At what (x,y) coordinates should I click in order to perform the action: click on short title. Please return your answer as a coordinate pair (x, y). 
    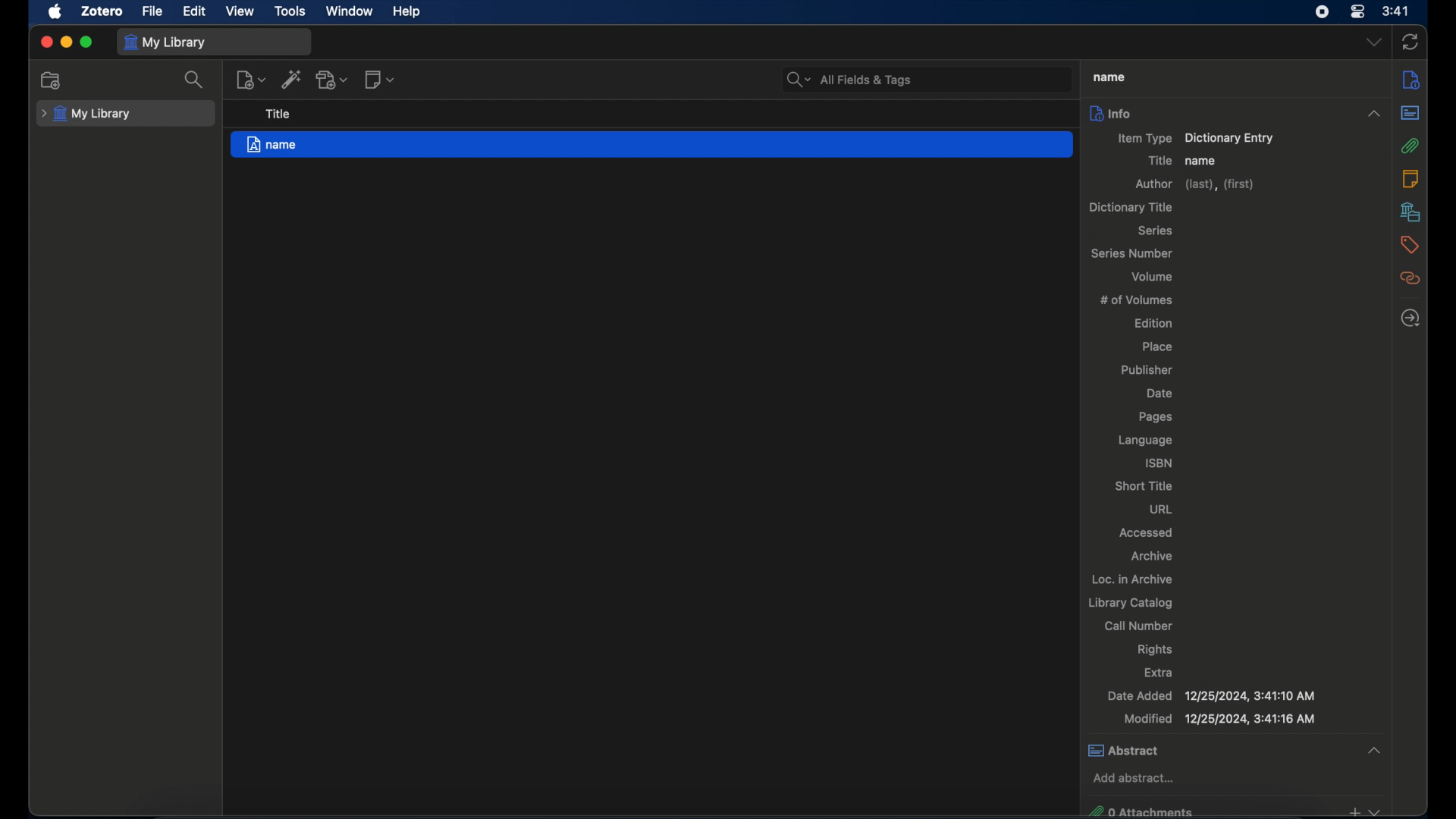
    Looking at the image, I should click on (1144, 485).